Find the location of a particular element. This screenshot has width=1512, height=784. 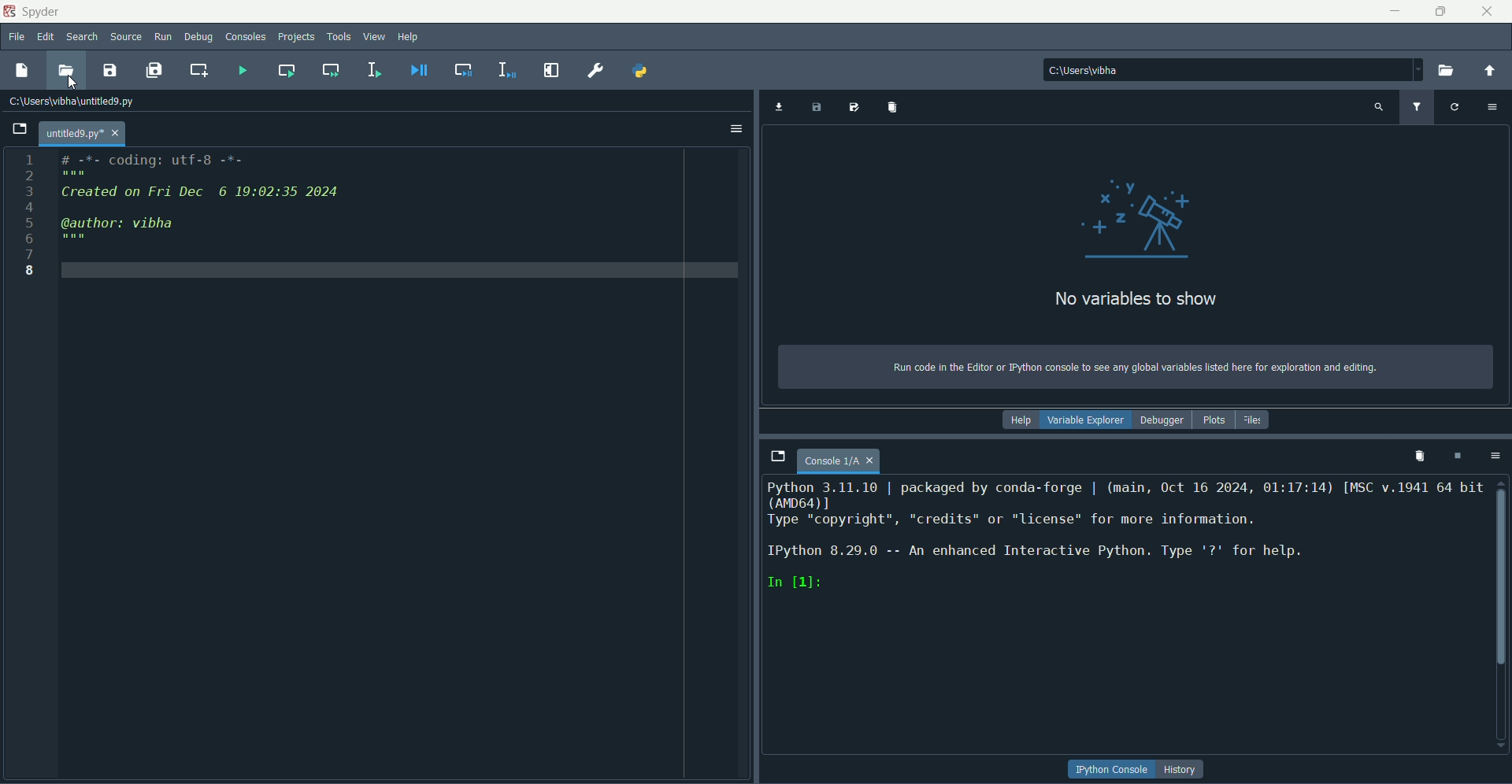

refresh variable is located at coordinates (1457, 107).